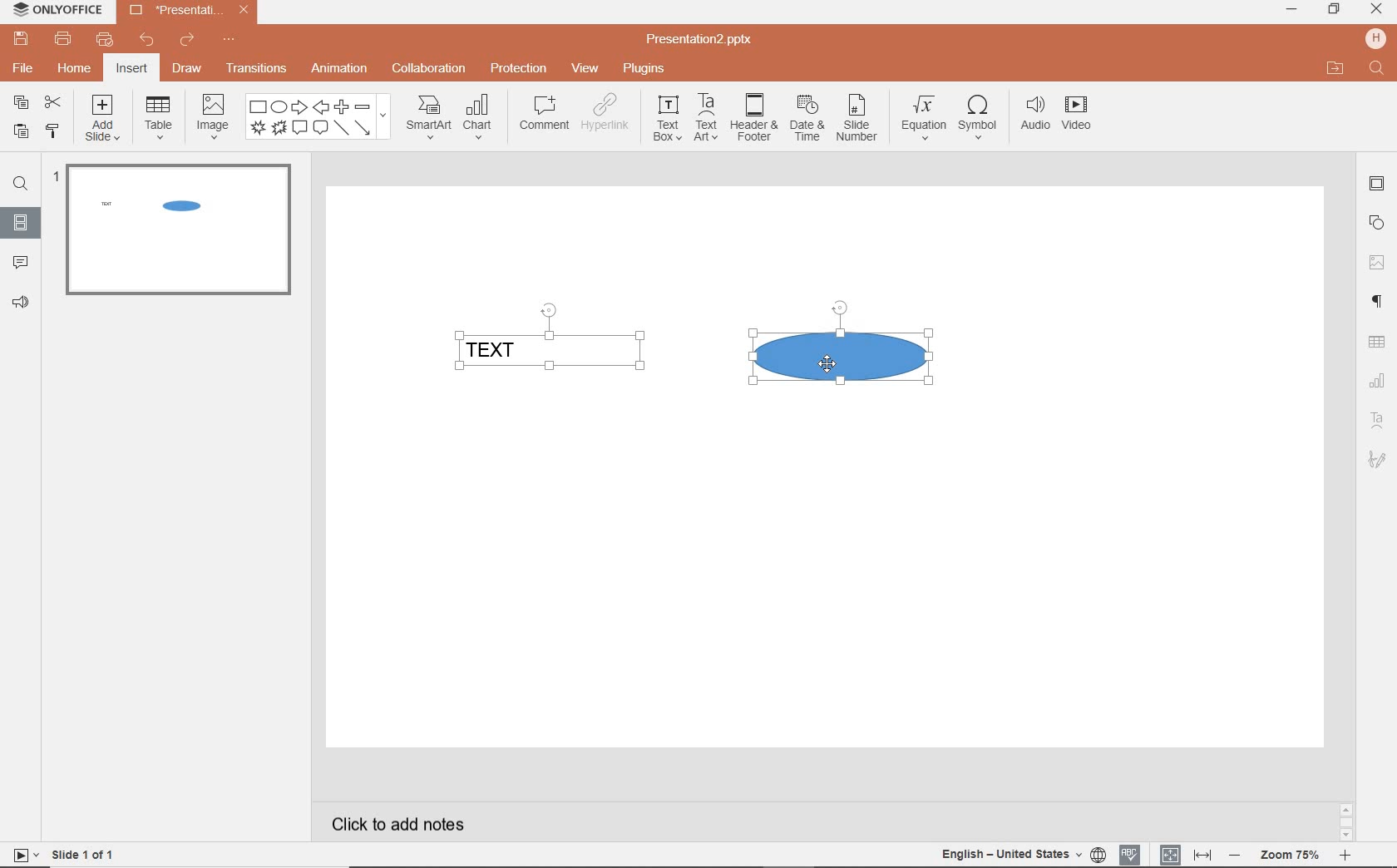 The image size is (1397, 868). Describe the element at coordinates (156, 118) in the screenshot. I see `table` at that location.